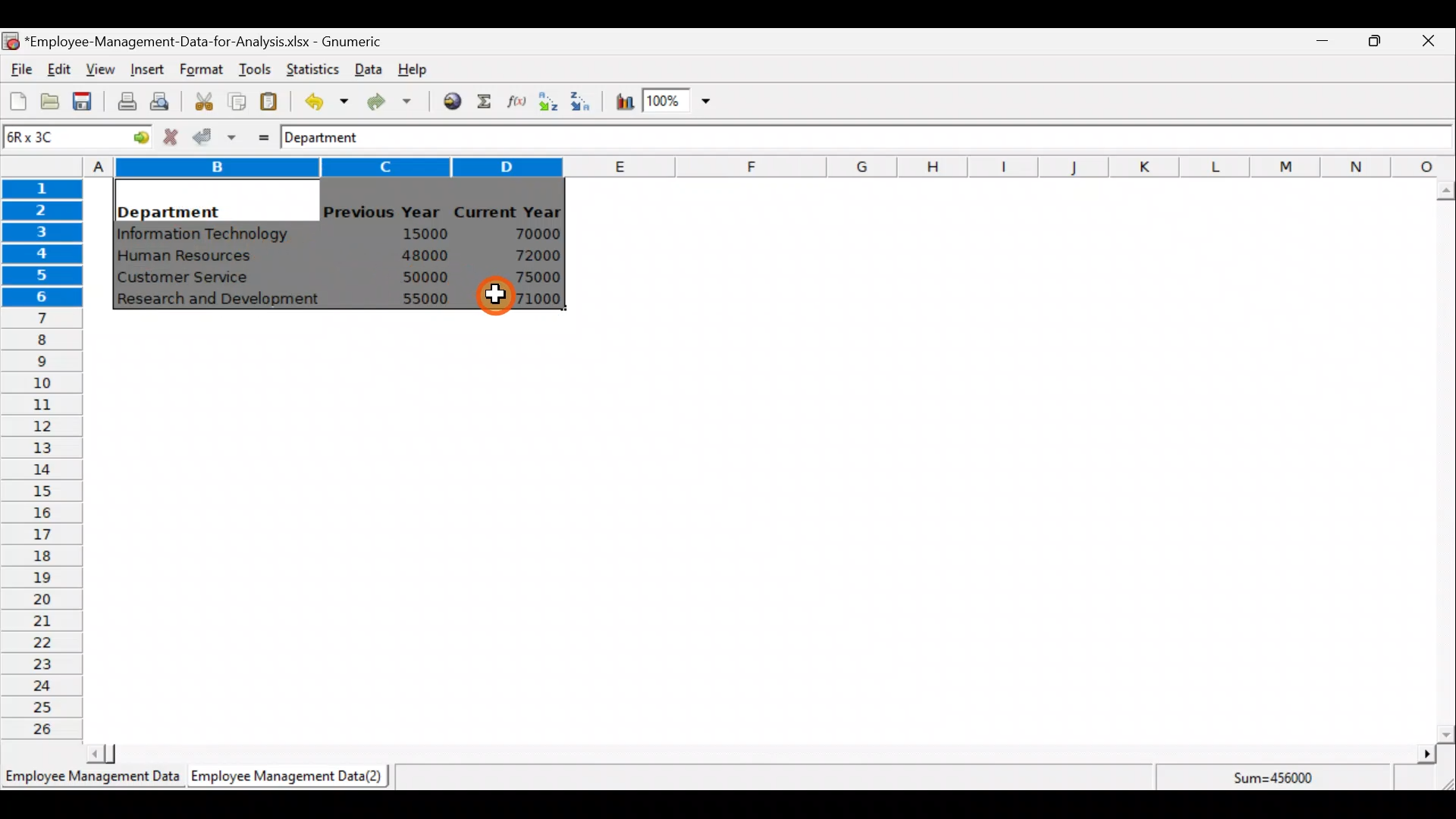 The height and width of the screenshot is (819, 1456). I want to click on Maximize, so click(1375, 40).